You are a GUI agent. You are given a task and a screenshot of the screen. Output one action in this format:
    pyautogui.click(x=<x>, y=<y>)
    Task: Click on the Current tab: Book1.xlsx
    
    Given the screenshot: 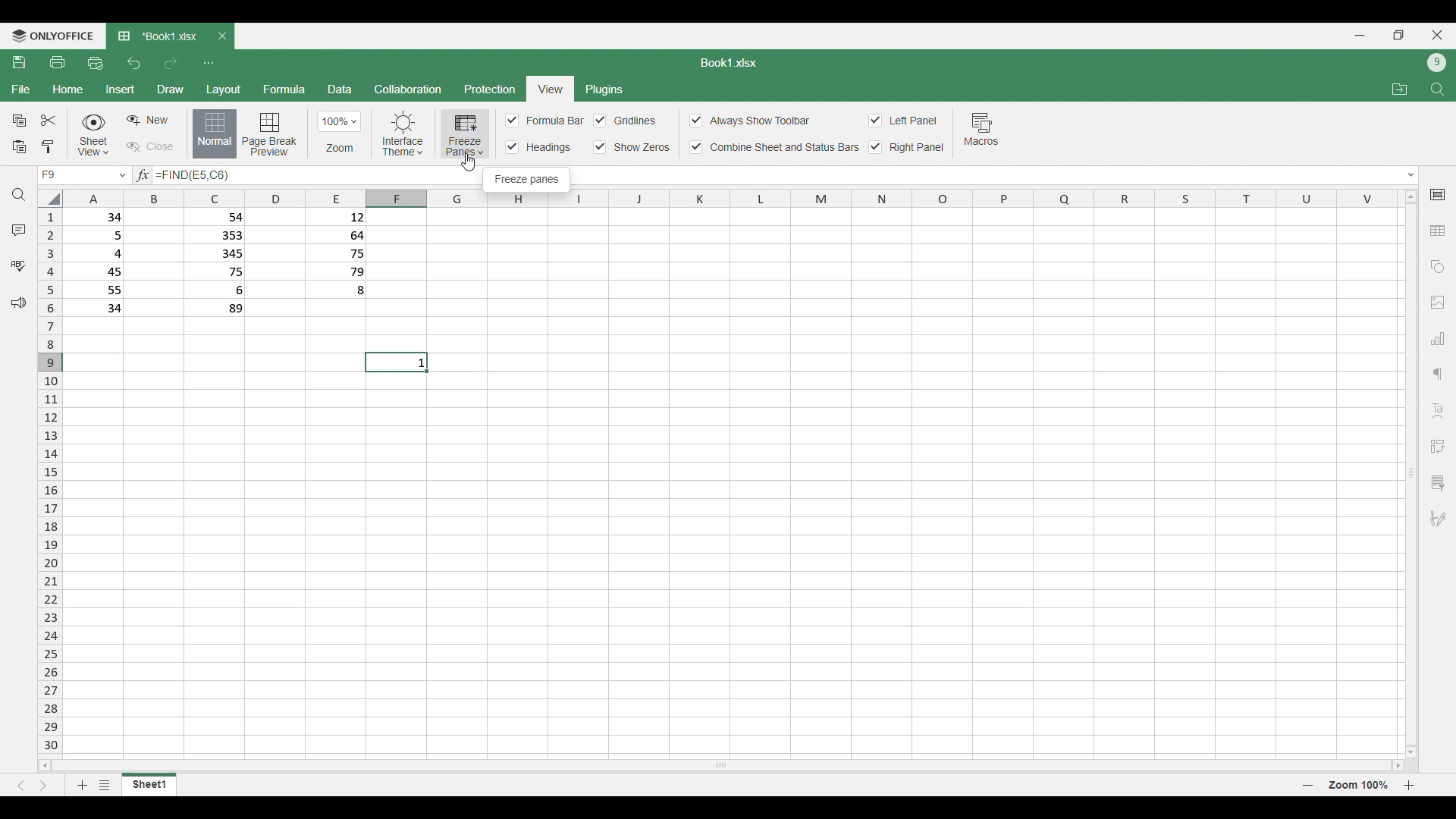 What is the action you would take?
    pyautogui.click(x=158, y=38)
    